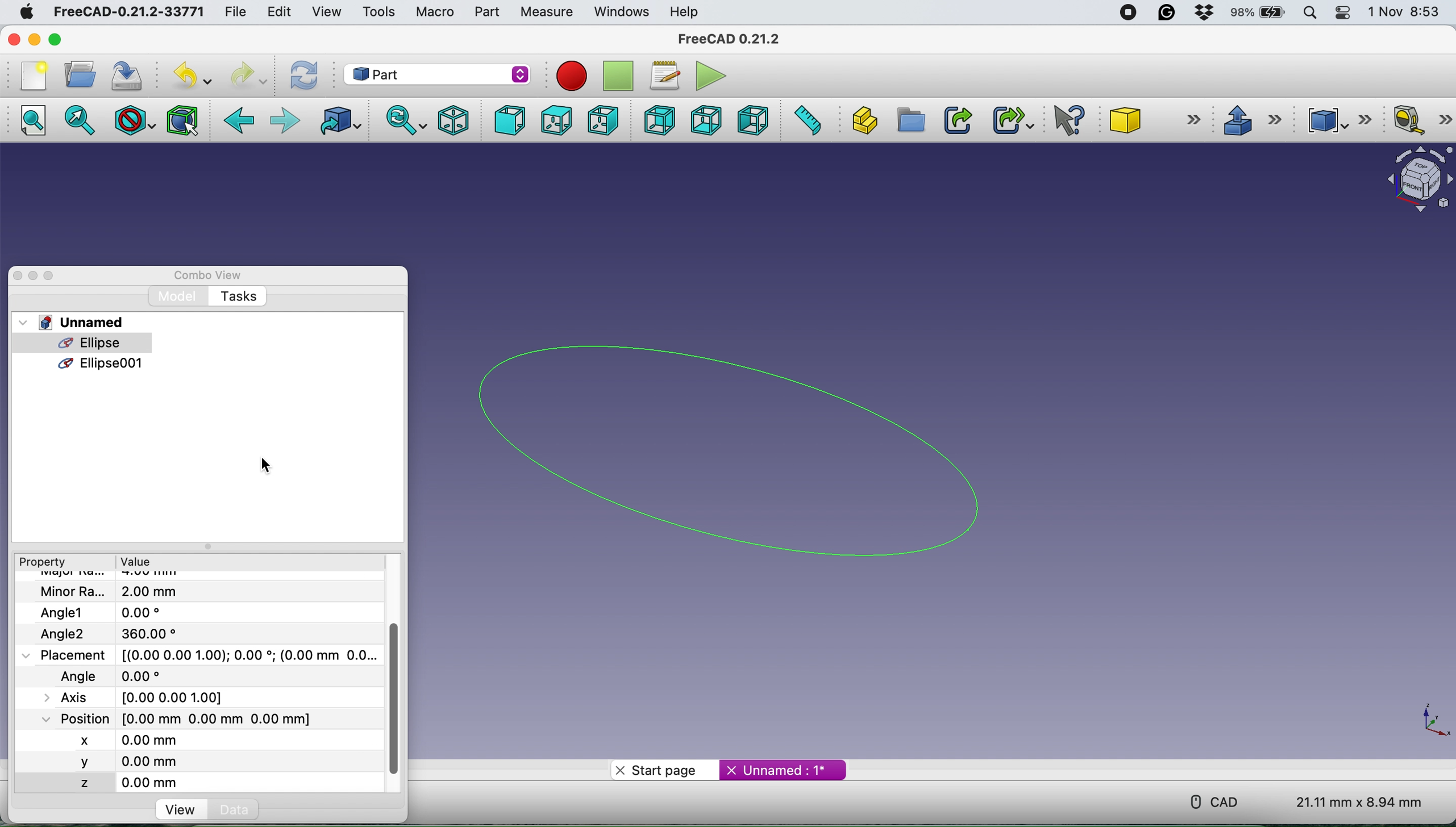 The image size is (1456, 827). I want to click on isometric, so click(454, 119).